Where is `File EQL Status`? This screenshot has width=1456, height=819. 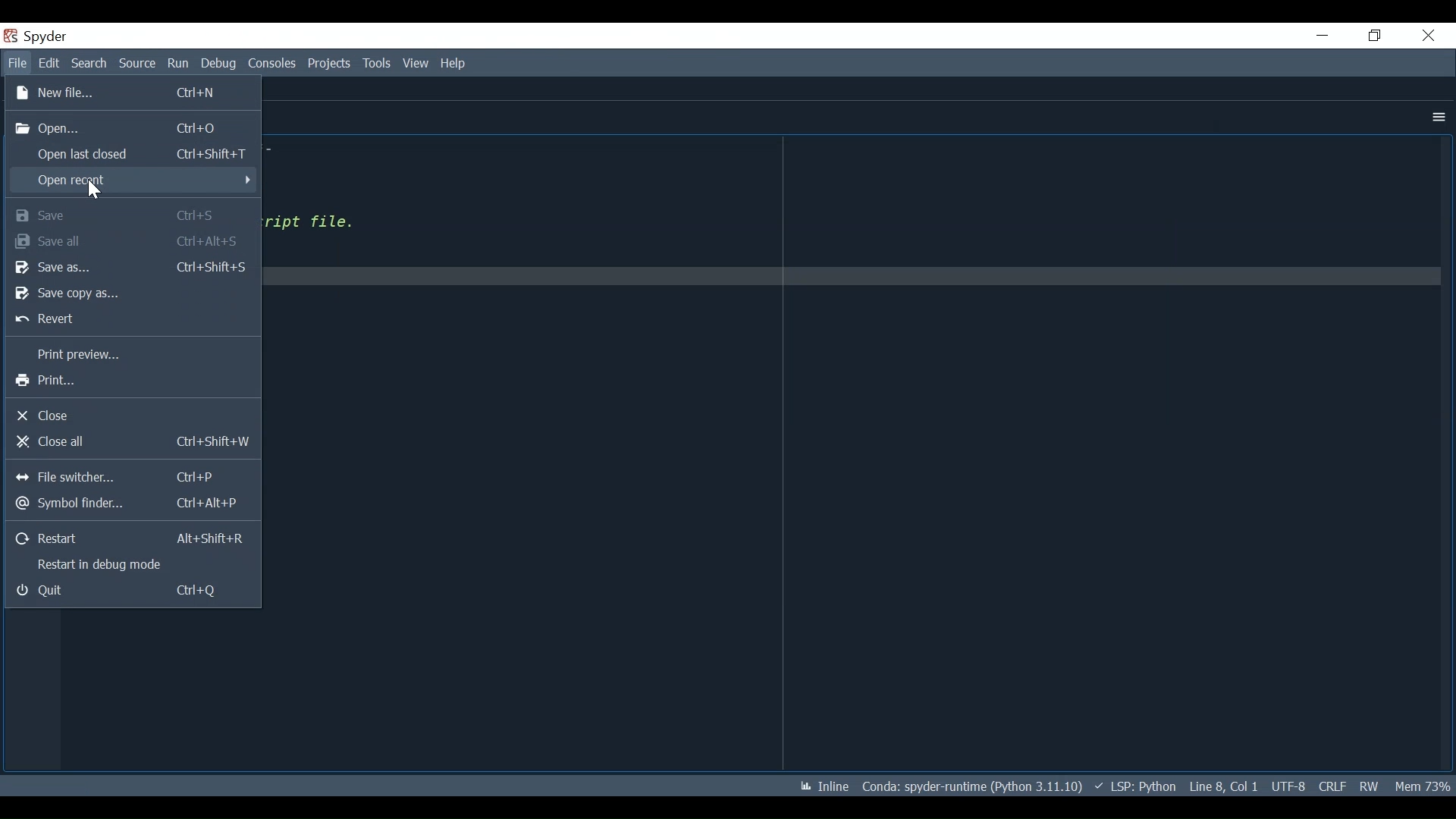 File EQL Status is located at coordinates (1330, 785).